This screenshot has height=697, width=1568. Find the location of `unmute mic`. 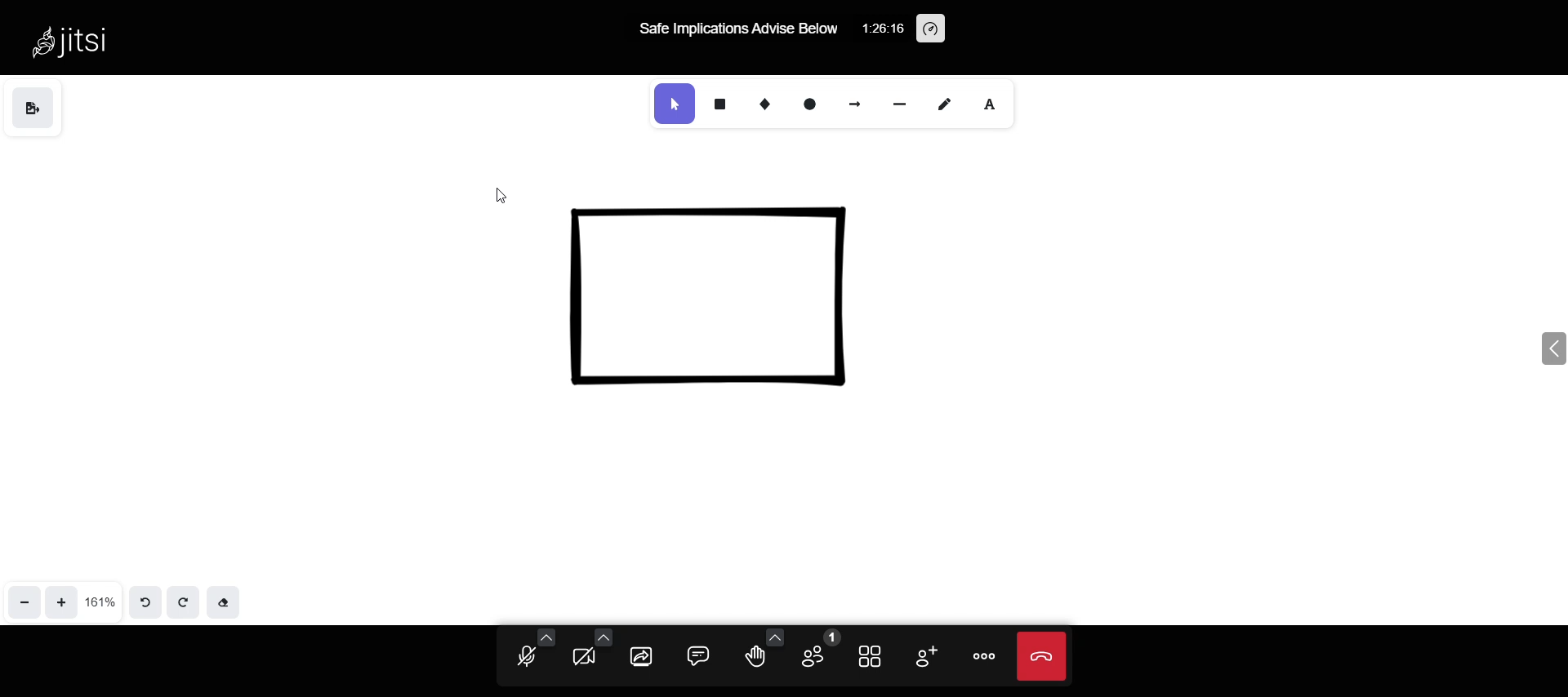

unmute mic is located at coordinates (523, 660).